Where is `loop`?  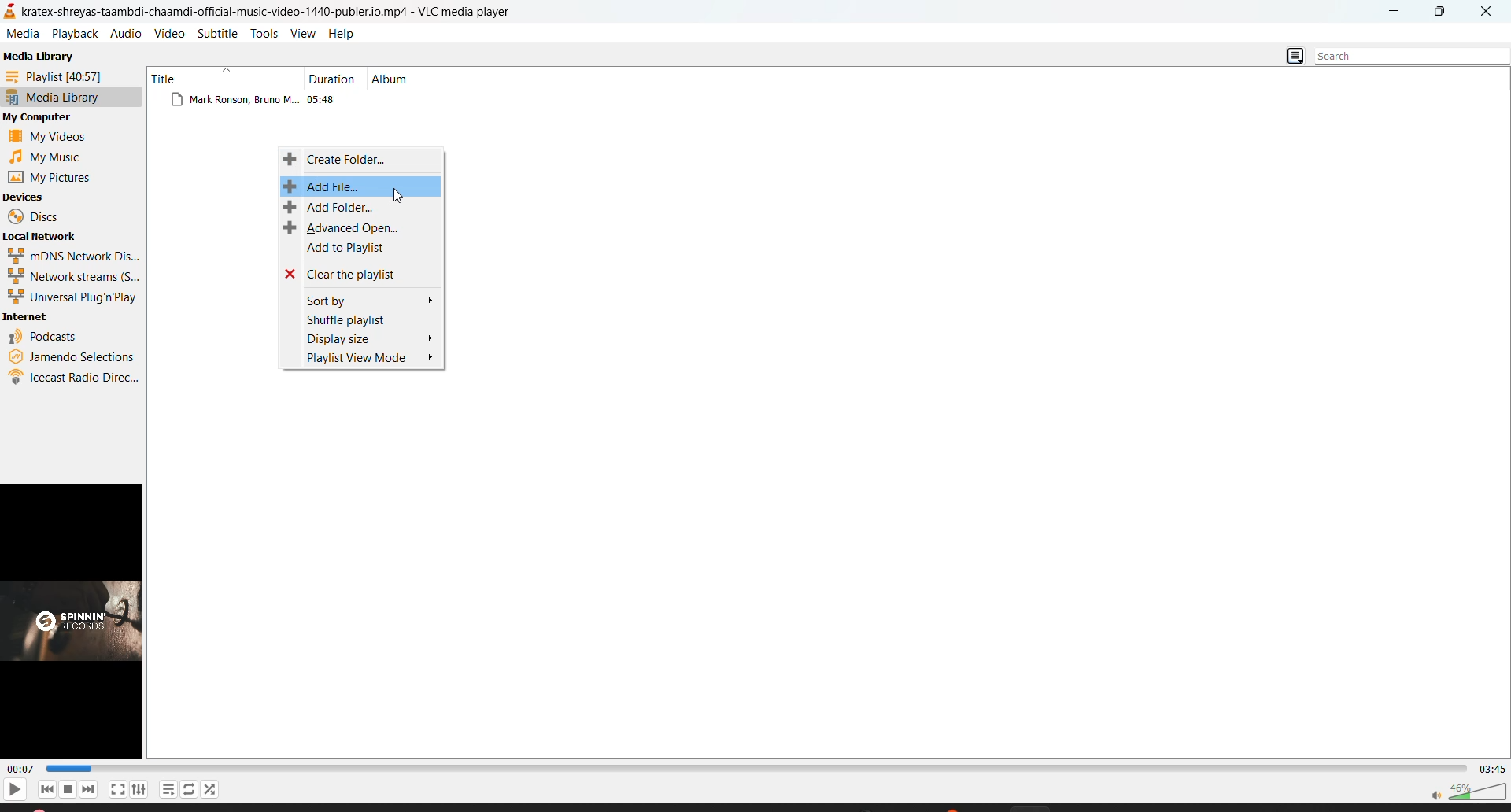 loop is located at coordinates (187, 788).